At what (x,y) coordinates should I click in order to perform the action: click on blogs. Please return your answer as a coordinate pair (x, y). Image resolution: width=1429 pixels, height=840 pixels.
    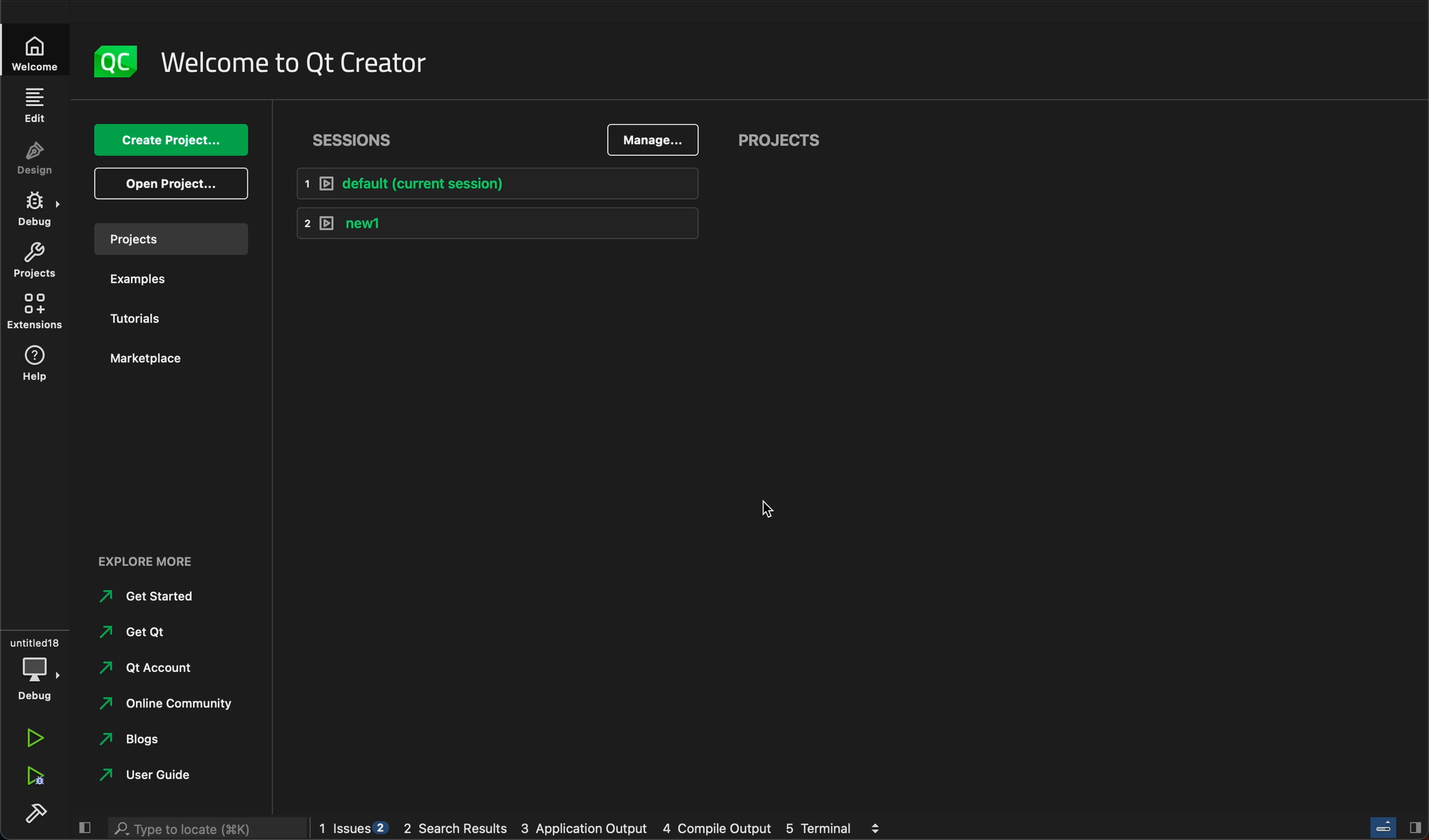
    Looking at the image, I should click on (160, 741).